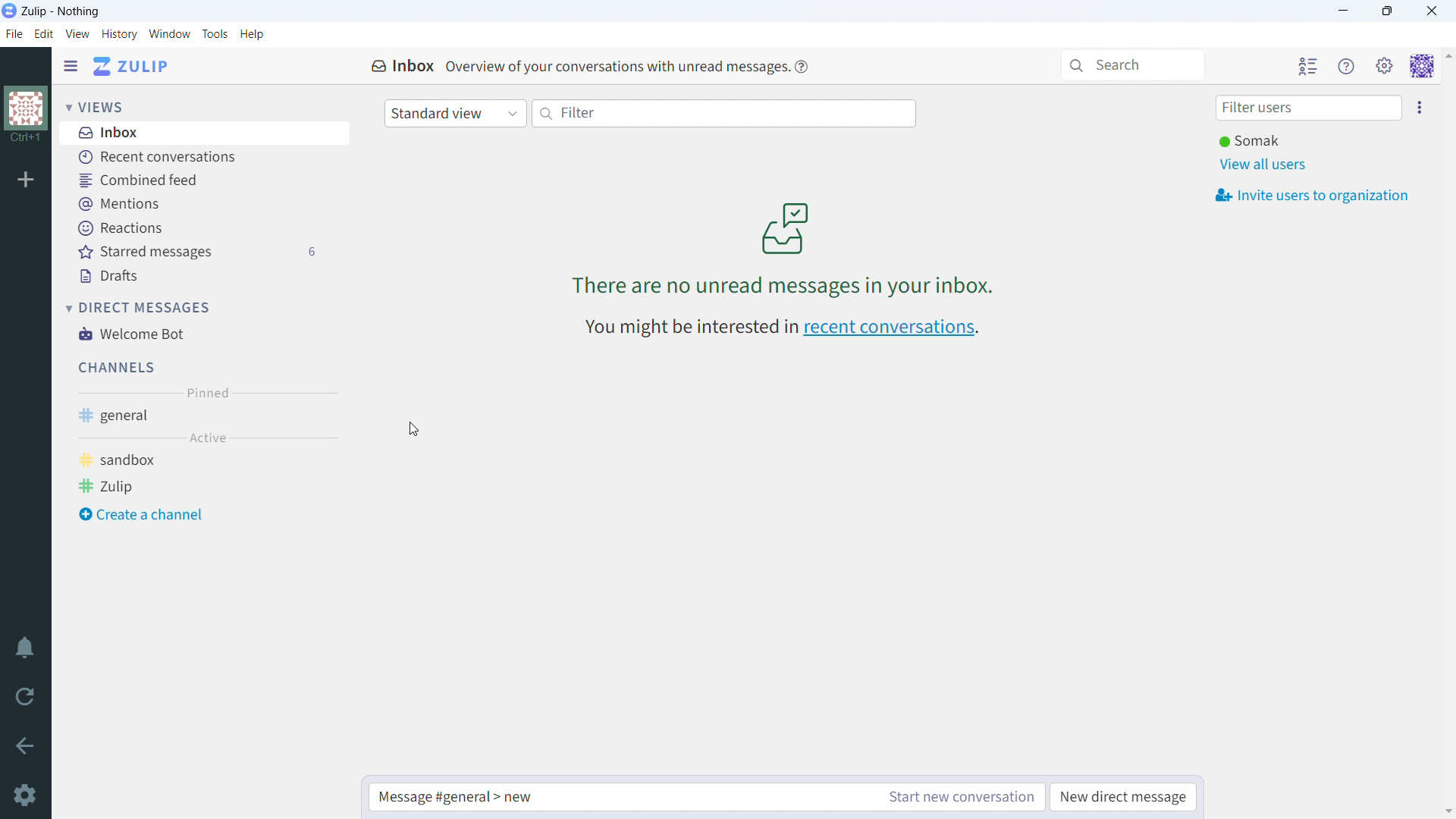 Image resolution: width=1456 pixels, height=819 pixels. What do you see at coordinates (689, 328) in the screenshot?
I see `You might be interested in` at bounding box center [689, 328].